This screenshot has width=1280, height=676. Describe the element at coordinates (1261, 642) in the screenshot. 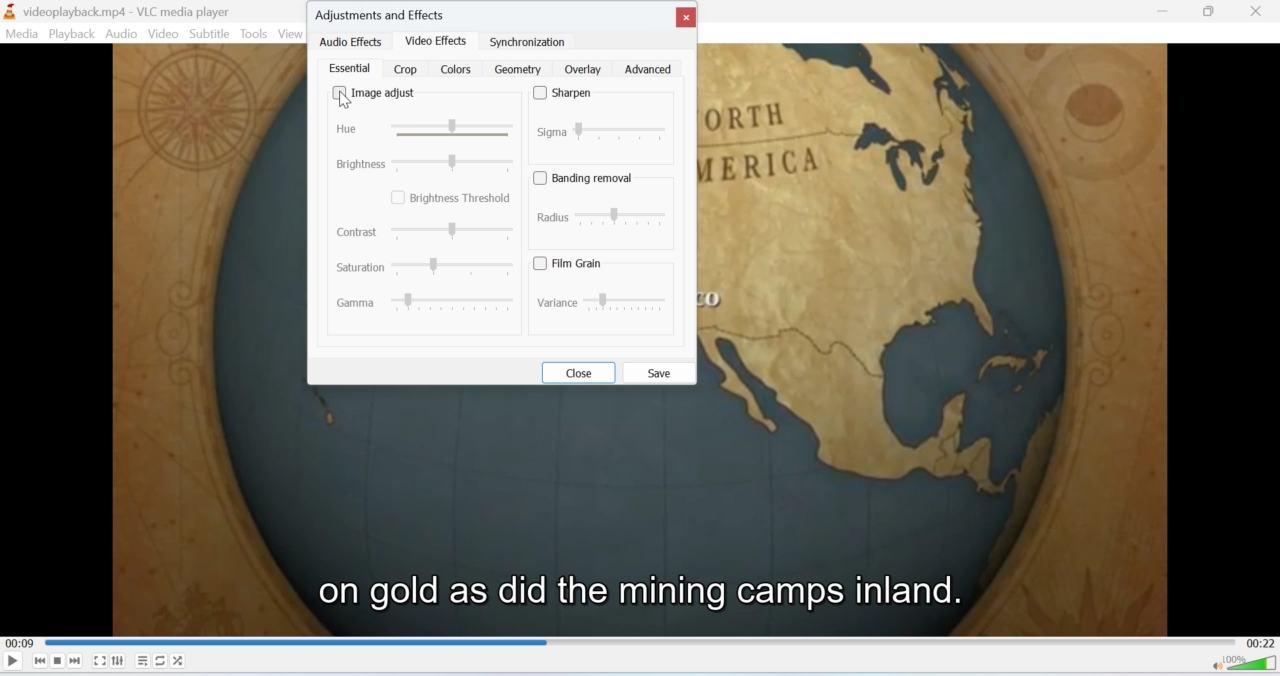

I see `00:22` at that location.